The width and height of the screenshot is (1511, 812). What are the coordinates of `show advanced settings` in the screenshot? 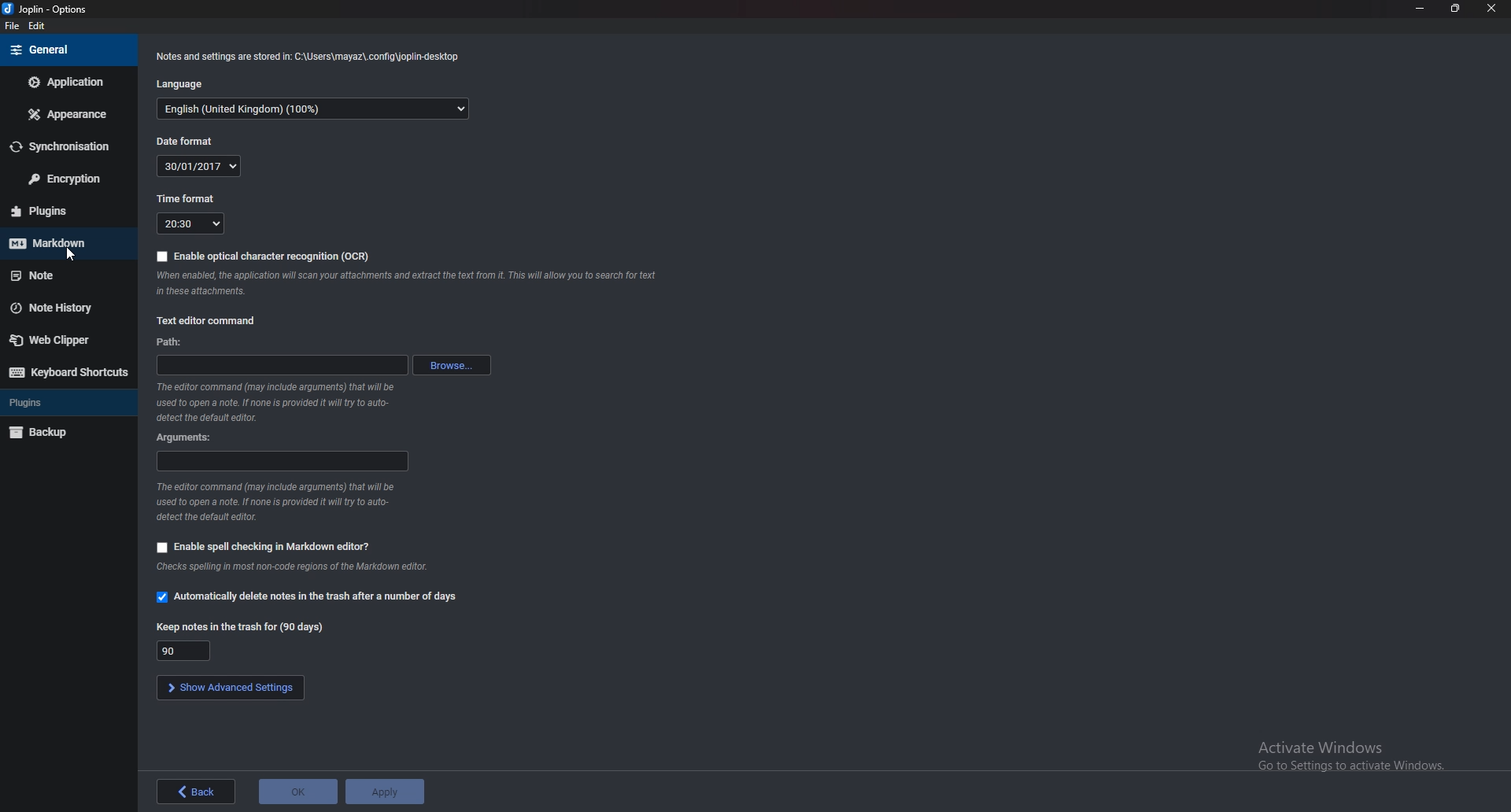 It's located at (229, 688).